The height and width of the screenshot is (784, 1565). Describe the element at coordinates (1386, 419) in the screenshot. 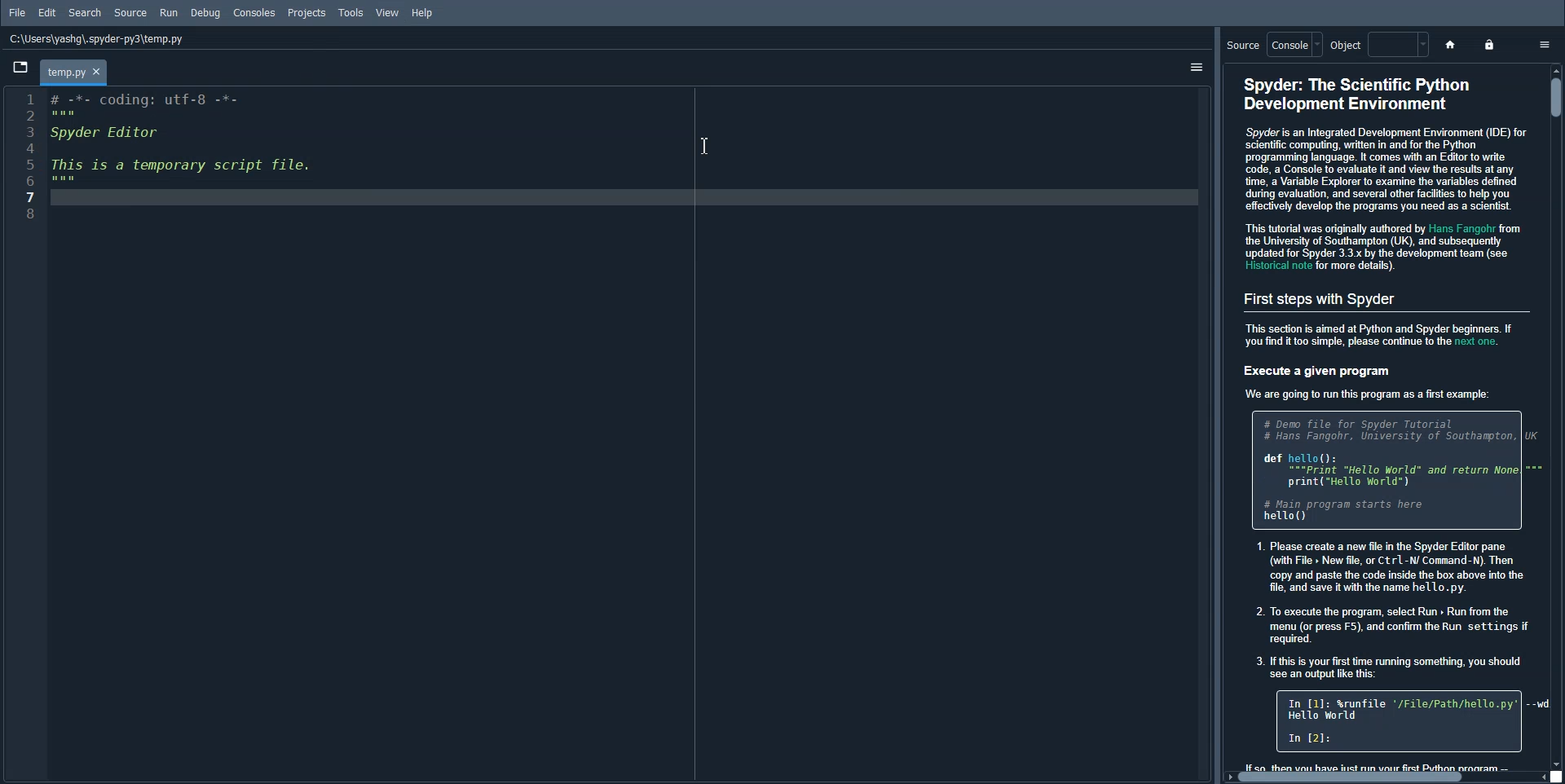

I see `Help pane information` at that location.